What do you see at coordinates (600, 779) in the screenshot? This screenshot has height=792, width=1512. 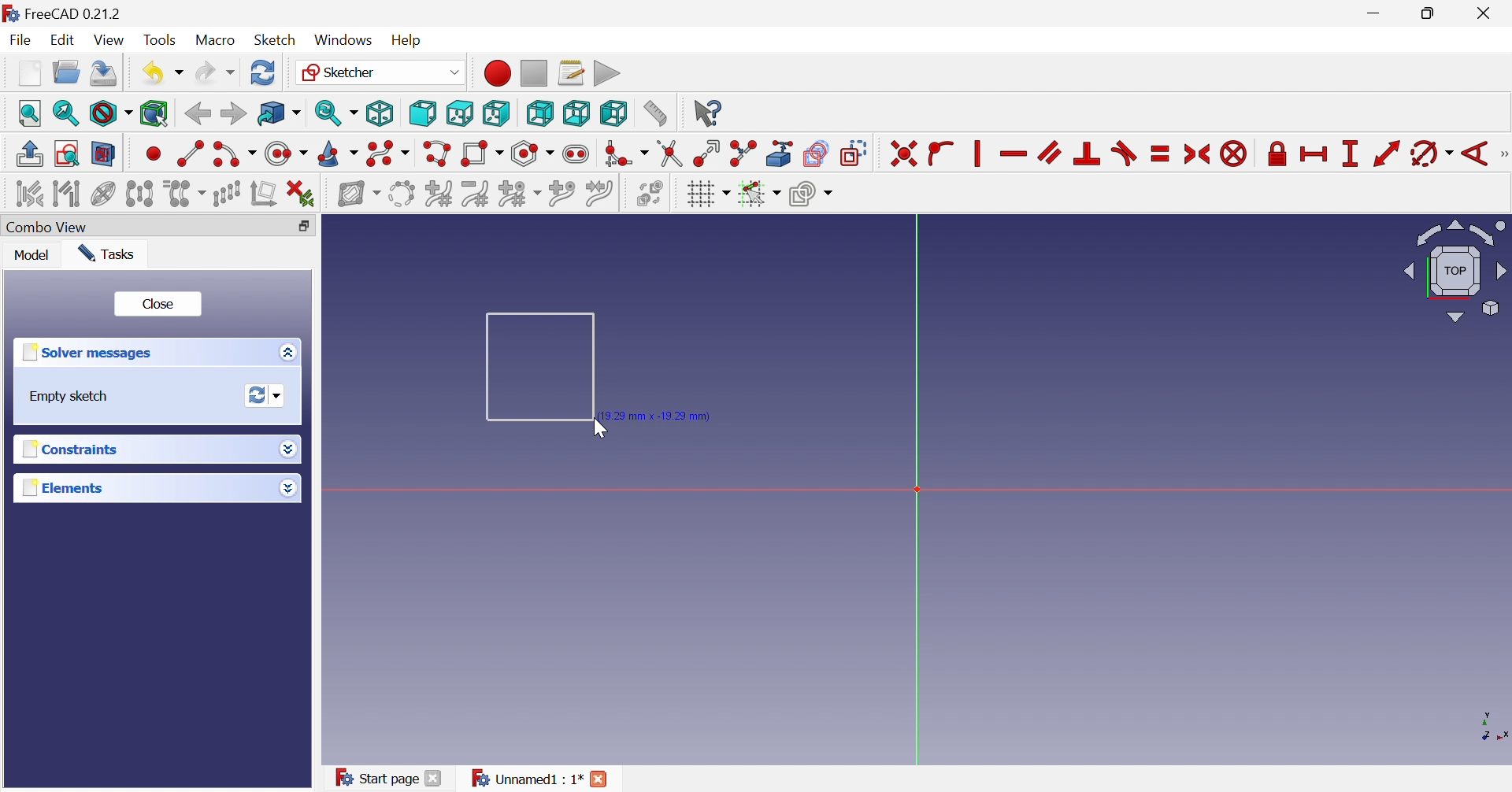 I see `Close` at bounding box center [600, 779].